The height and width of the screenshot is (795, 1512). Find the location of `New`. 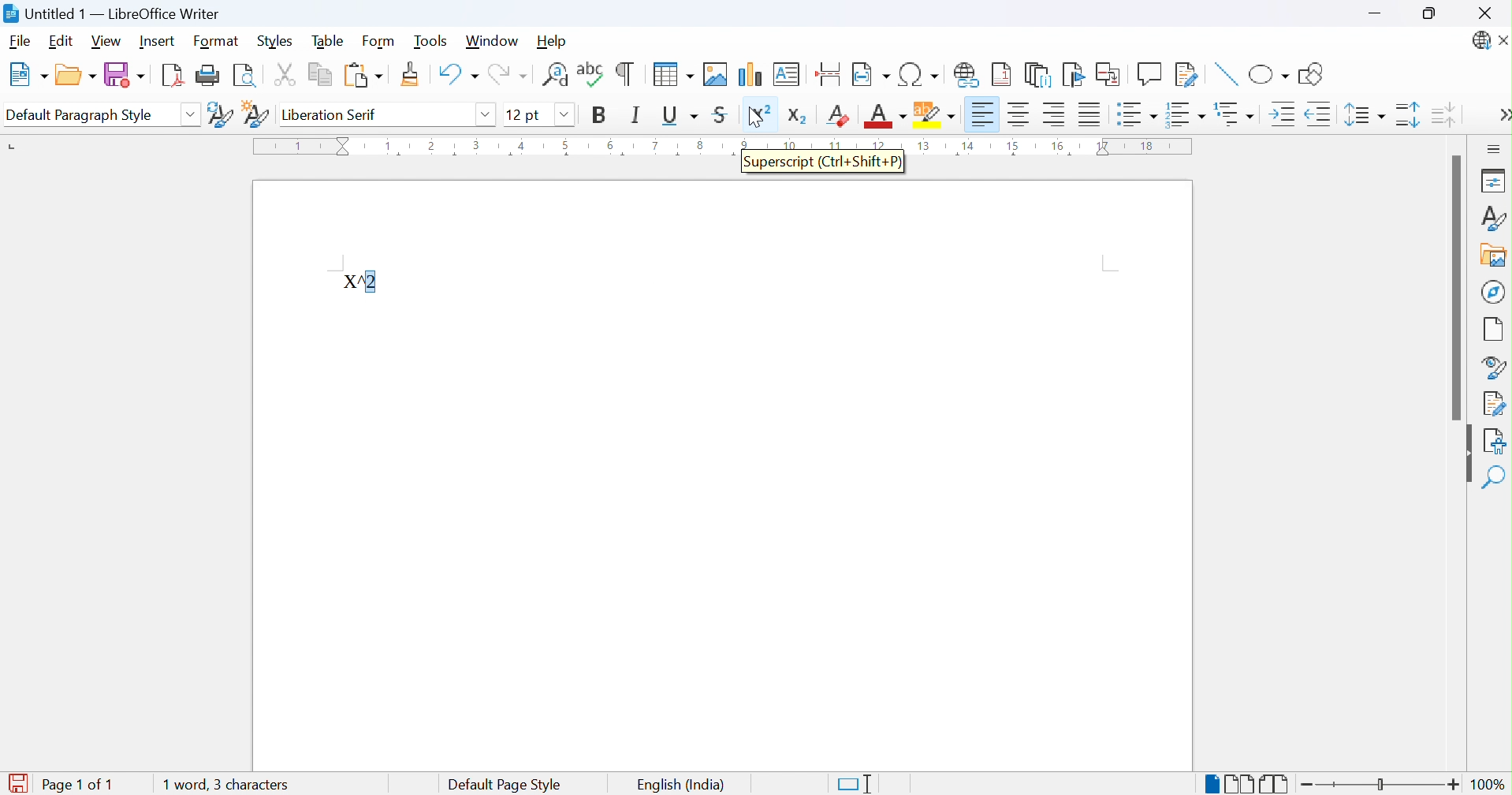

New is located at coordinates (27, 75).